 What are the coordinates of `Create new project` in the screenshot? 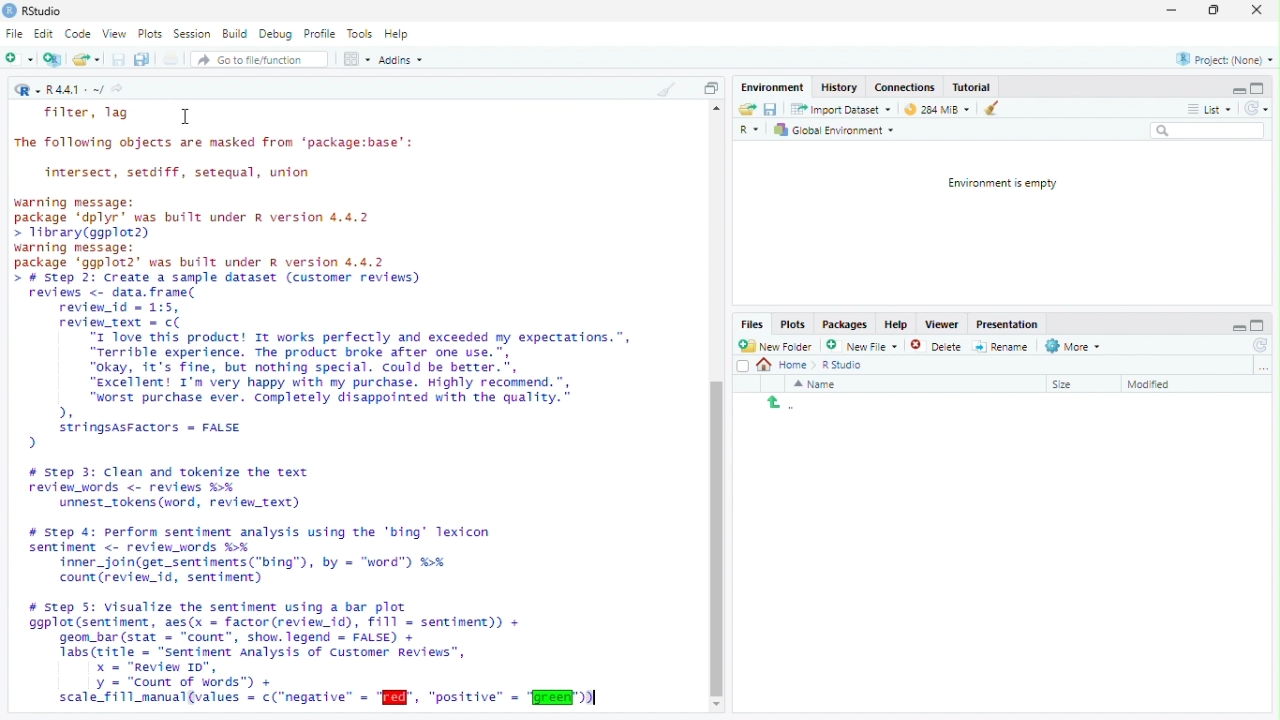 It's located at (53, 59).